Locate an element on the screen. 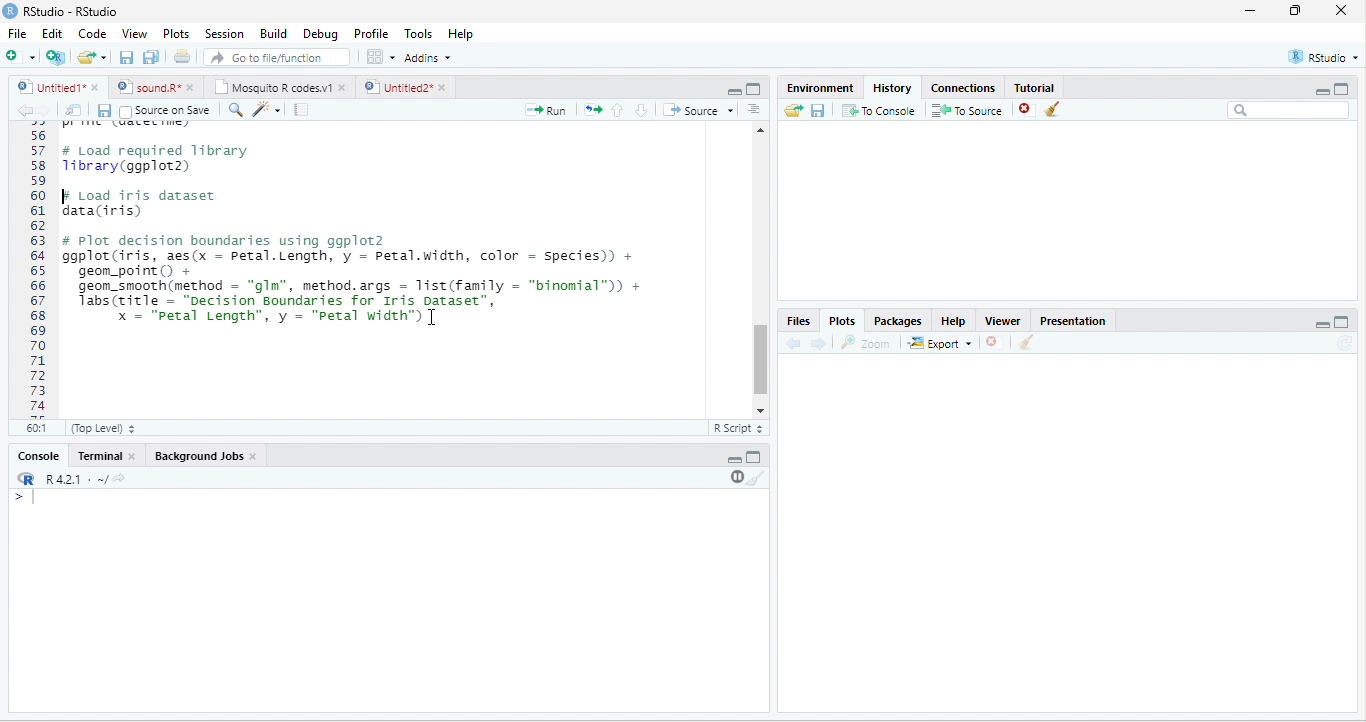  search file is located at coordinates (278, 57).